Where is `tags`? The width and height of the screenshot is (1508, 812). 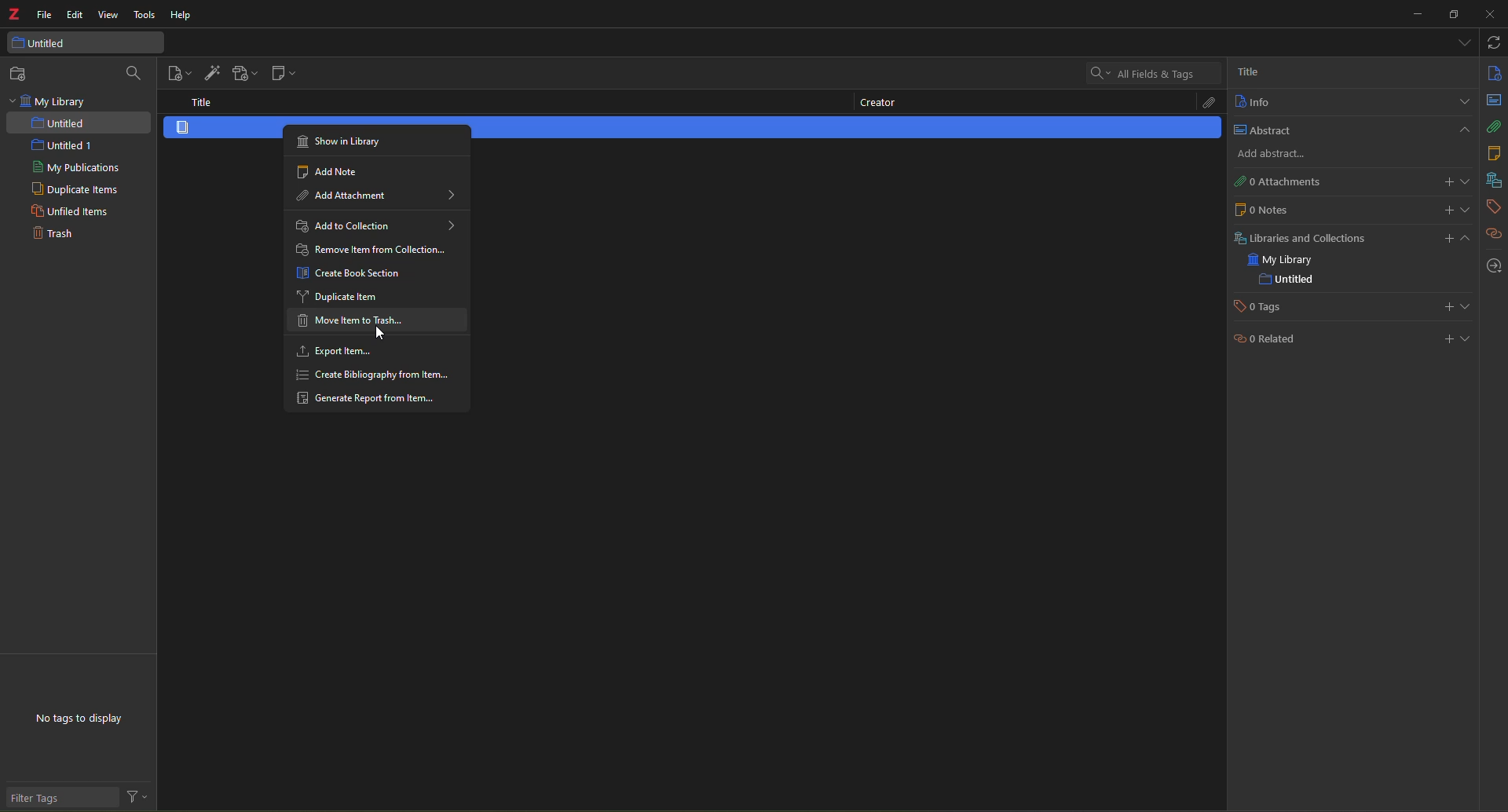 tags is located at coordinates (1492, 207).